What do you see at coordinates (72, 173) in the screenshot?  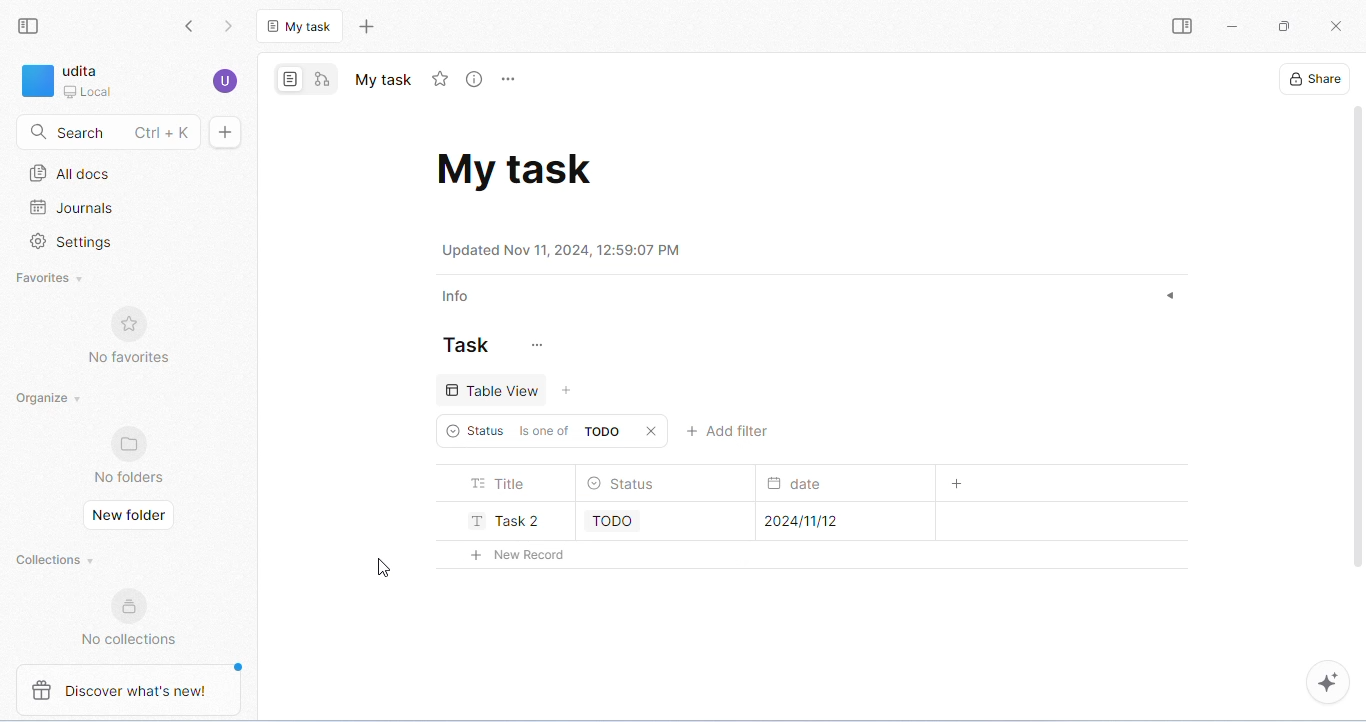 I see `all docs` at bounding box center [72, 173].